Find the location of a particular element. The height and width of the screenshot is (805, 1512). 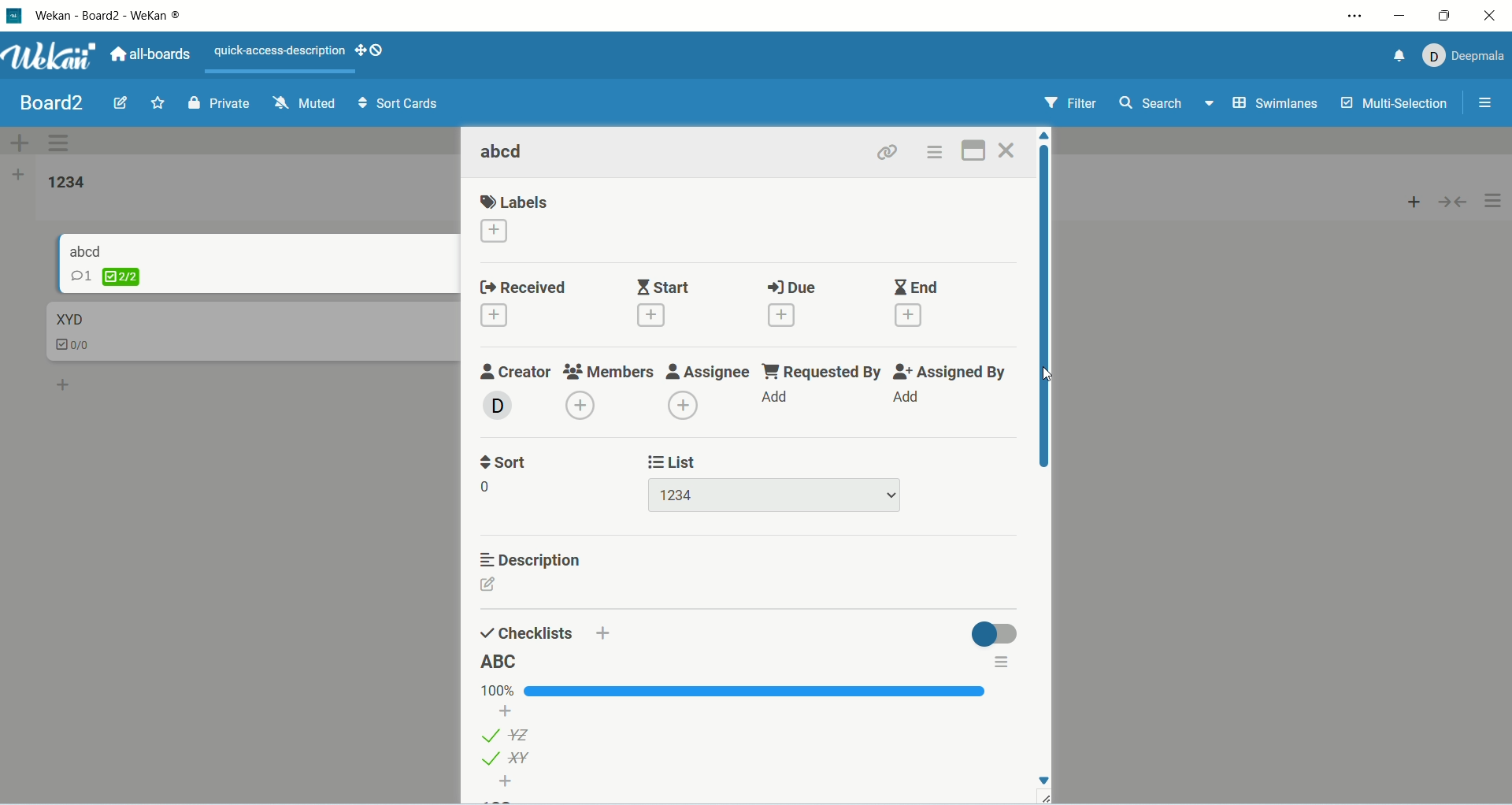

due is located at coordinates (793, 288).